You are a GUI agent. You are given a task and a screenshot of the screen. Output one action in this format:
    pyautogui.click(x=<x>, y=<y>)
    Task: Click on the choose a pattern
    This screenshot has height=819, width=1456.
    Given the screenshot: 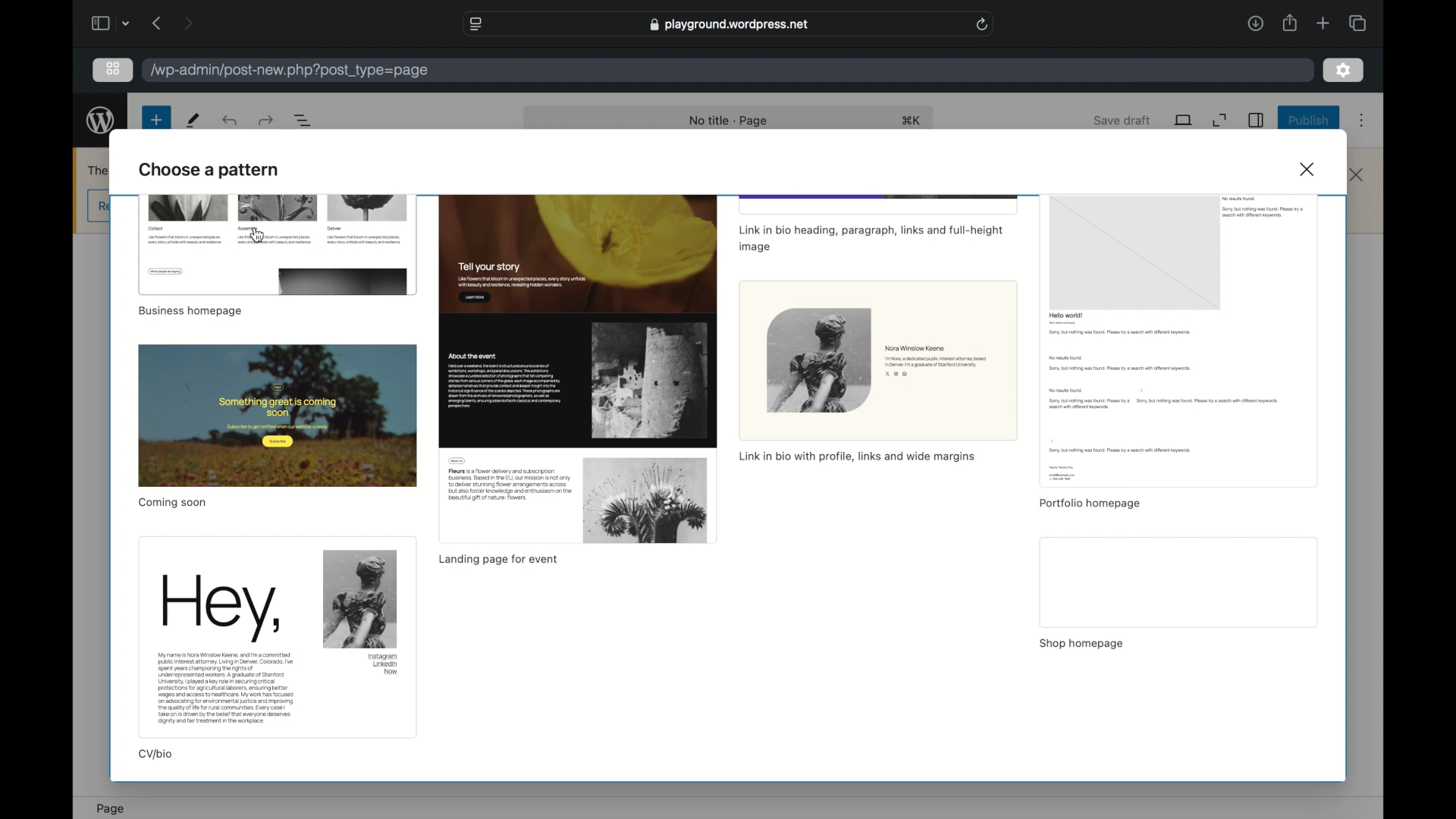 What is the action you would take?
    pyautogui.click(x=209, y=171)
    